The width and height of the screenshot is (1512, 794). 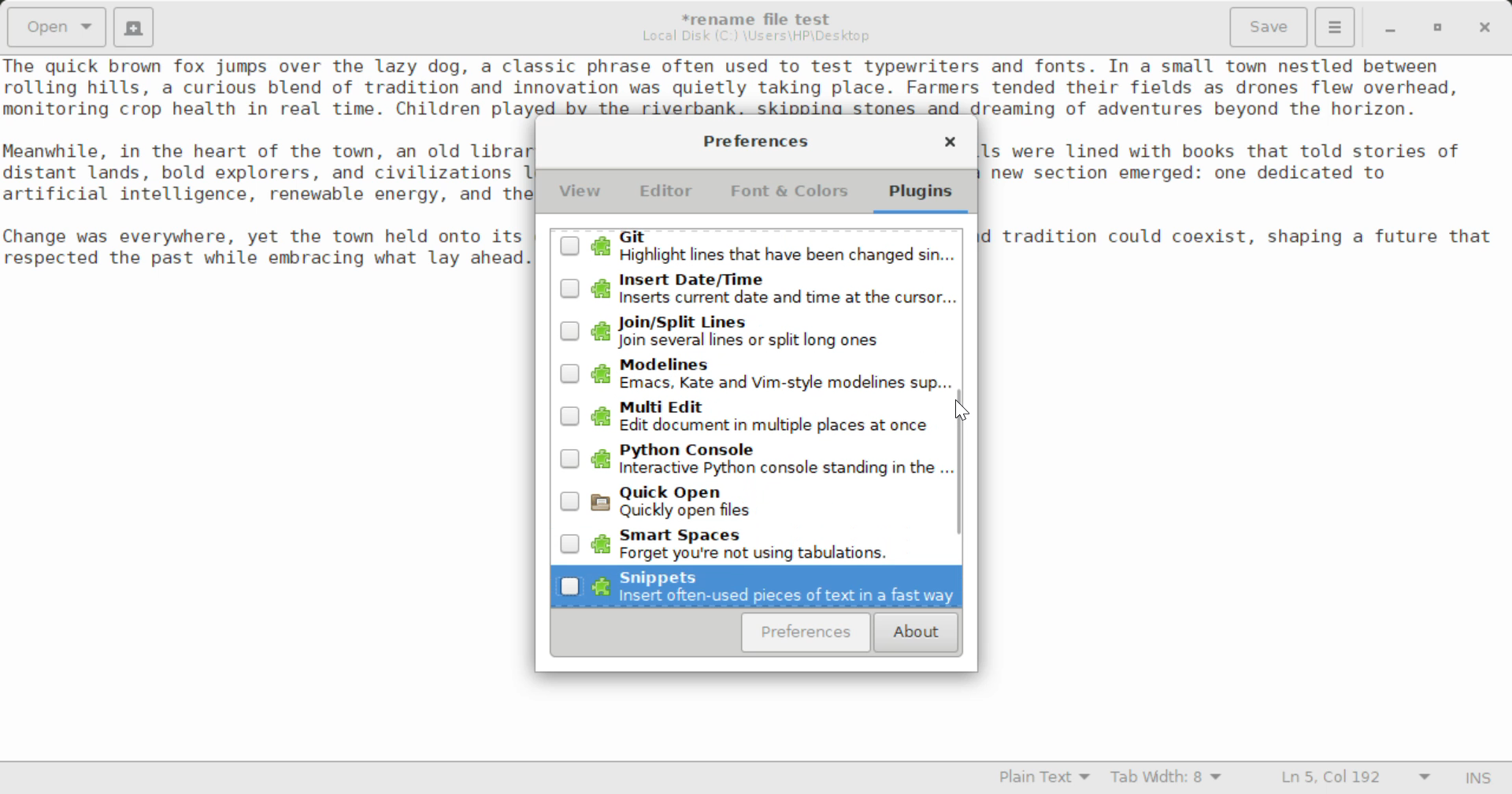 What do you see at coordinates (132, 25) in the screenshot?
I see `Create New Document` at bounding box center [132, 25].